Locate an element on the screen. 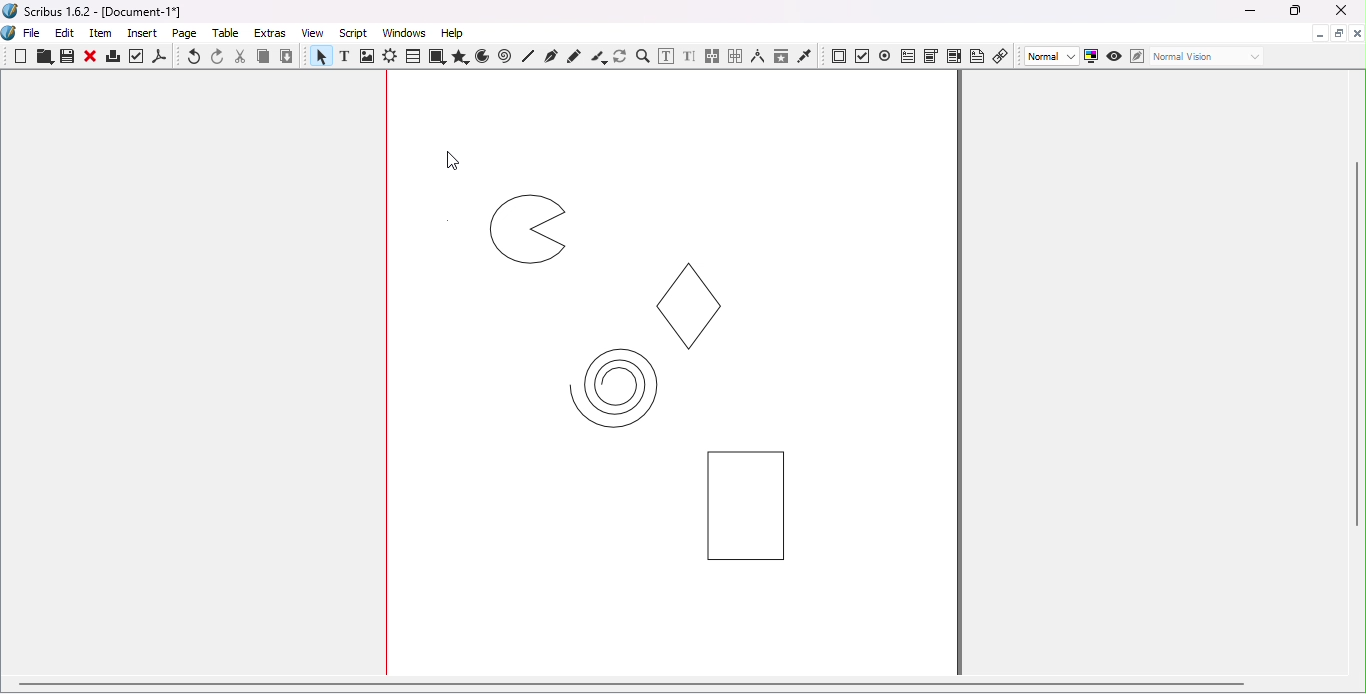  Bezier curve tool is located at coordinates (550, 56).